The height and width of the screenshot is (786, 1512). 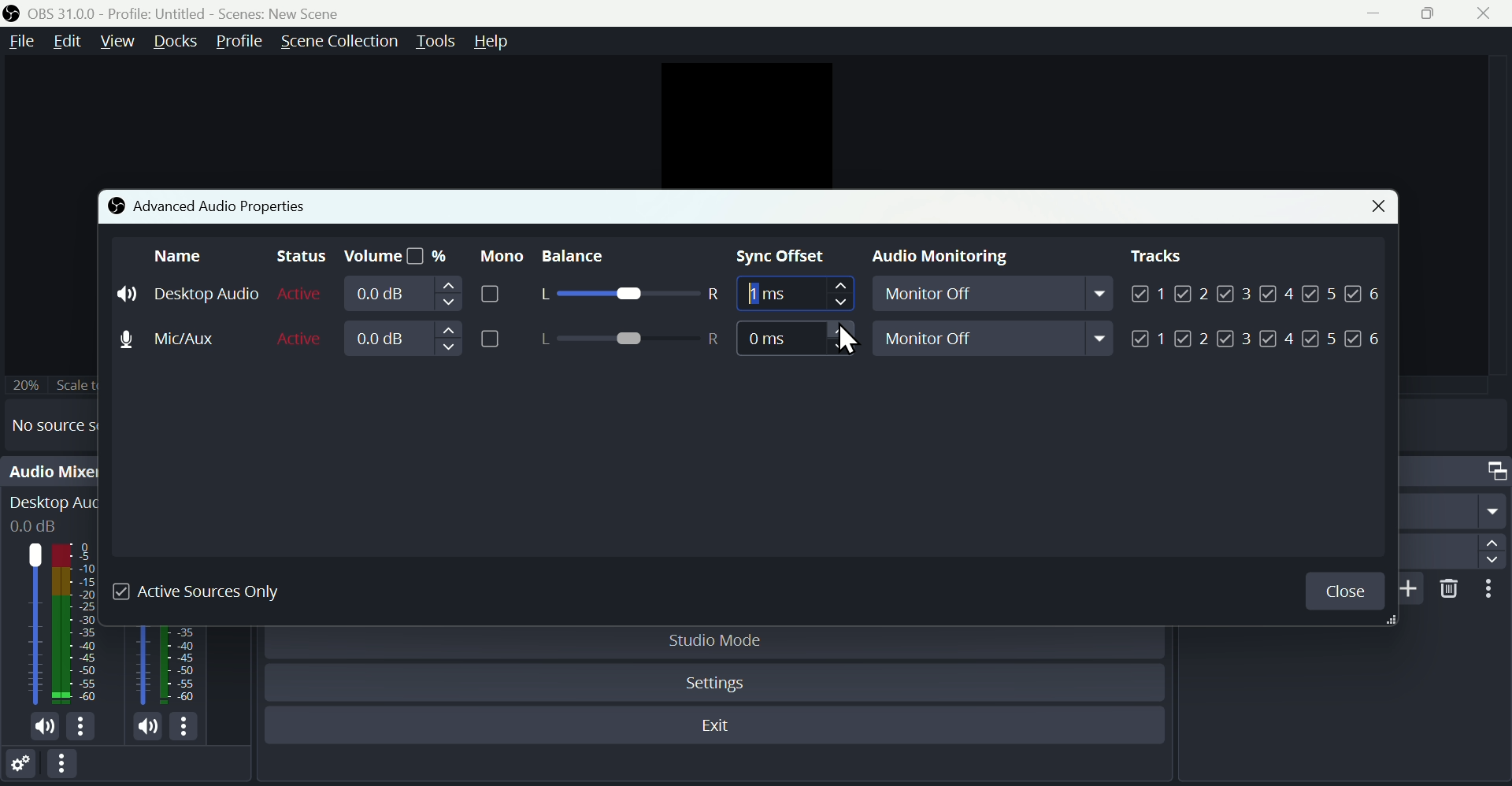 What do you see at coordinates (1318, 339) in the screenshot?
I see `(un)check Track 5` at bounding box center [1318, 339].